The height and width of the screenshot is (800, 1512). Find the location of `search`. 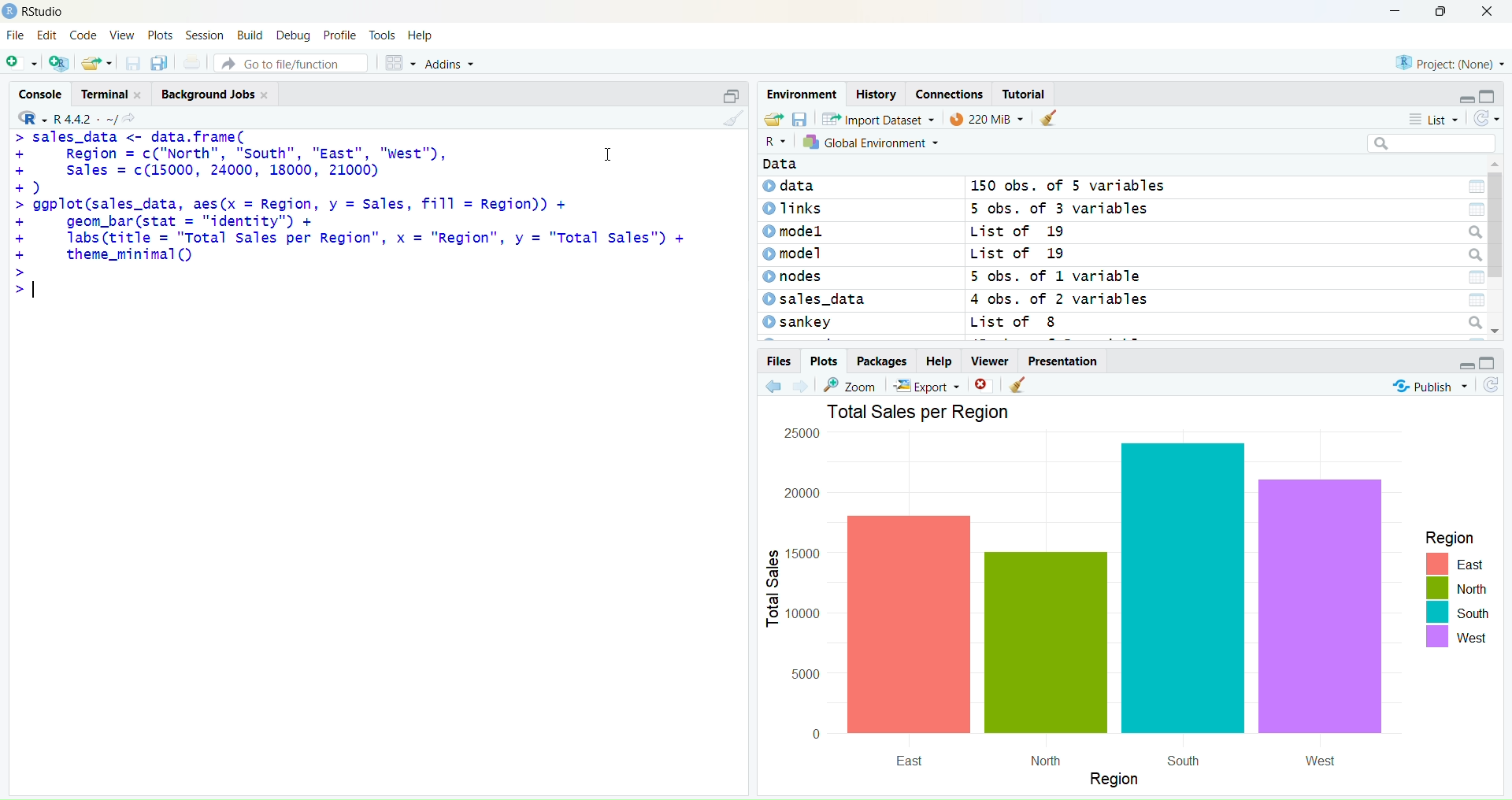

search is located at coordinates (1476, 254).